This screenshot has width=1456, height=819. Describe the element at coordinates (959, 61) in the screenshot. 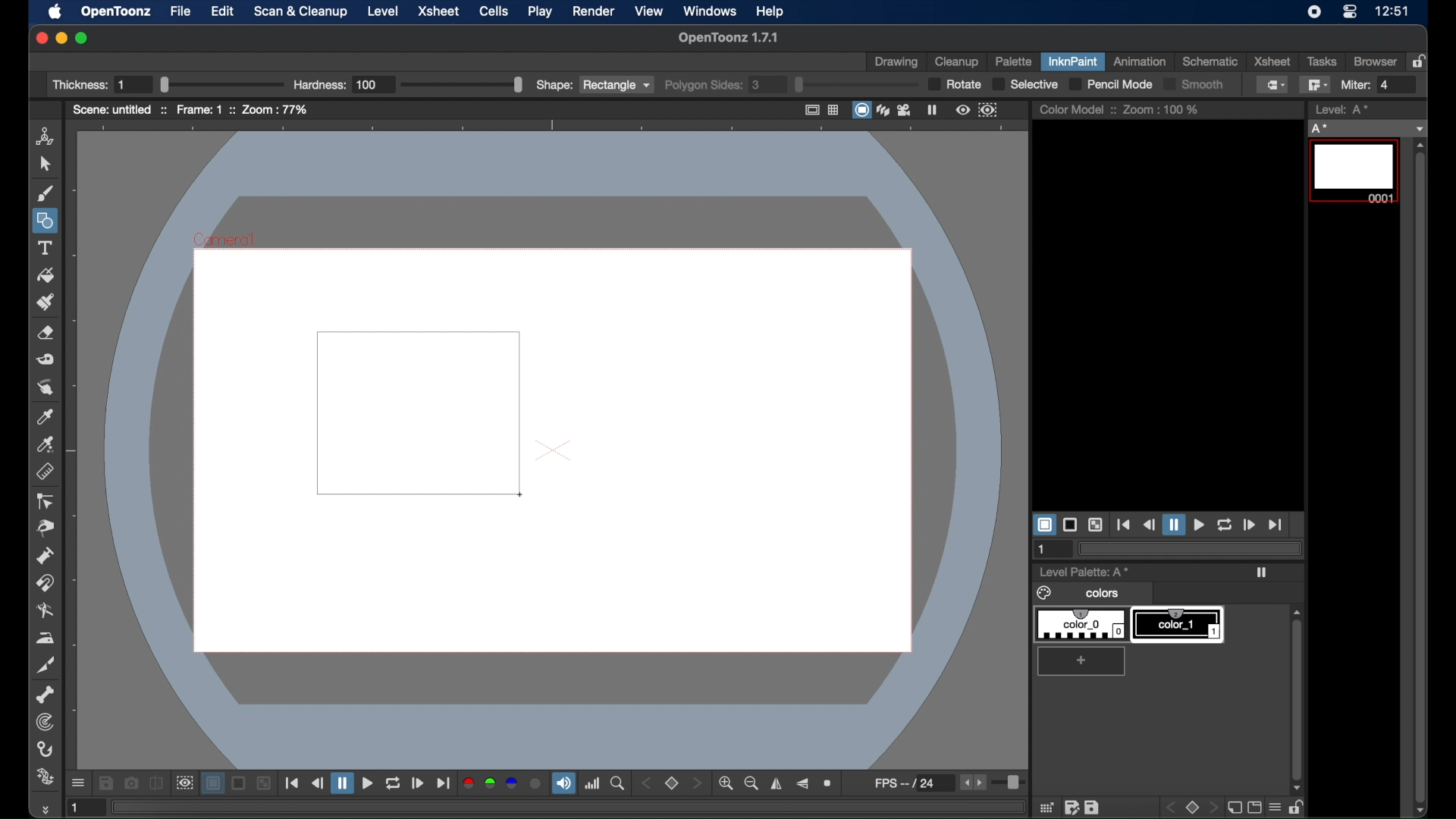

I see `cleanup` at that location.